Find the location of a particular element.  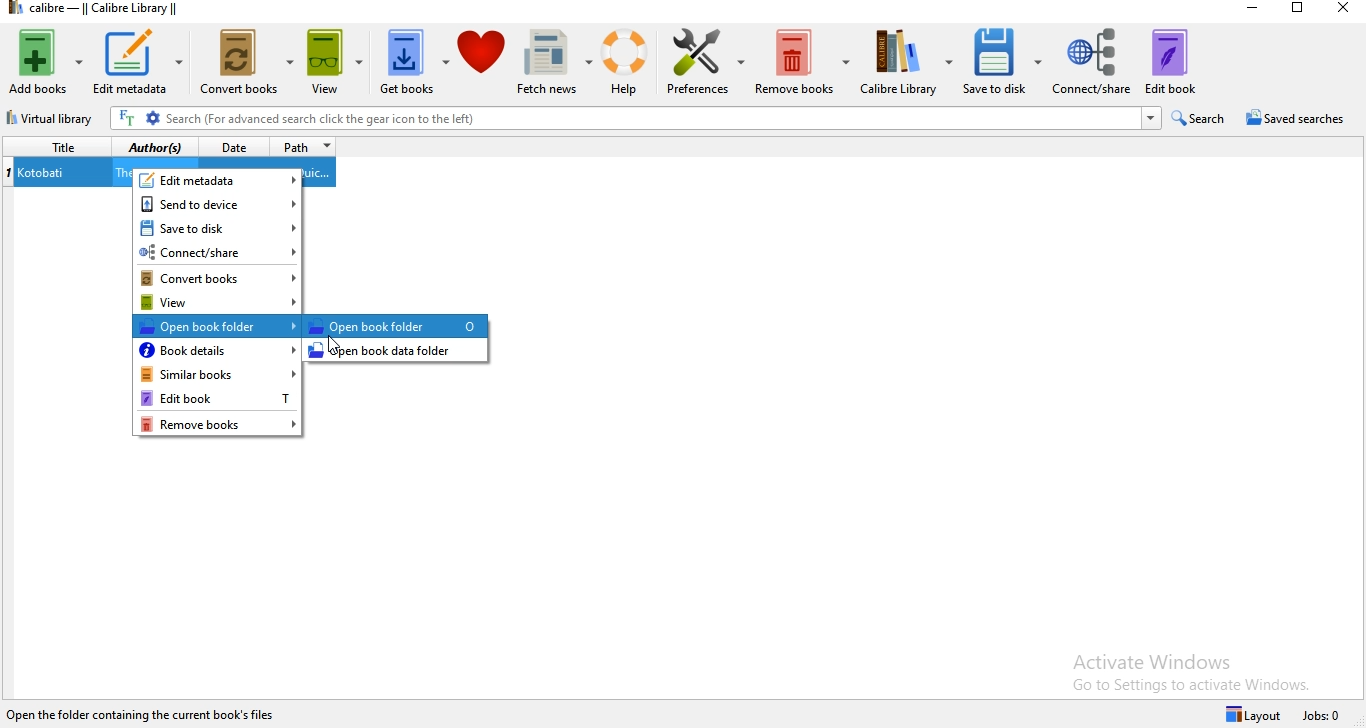

date is located at coordinates (235, 147).